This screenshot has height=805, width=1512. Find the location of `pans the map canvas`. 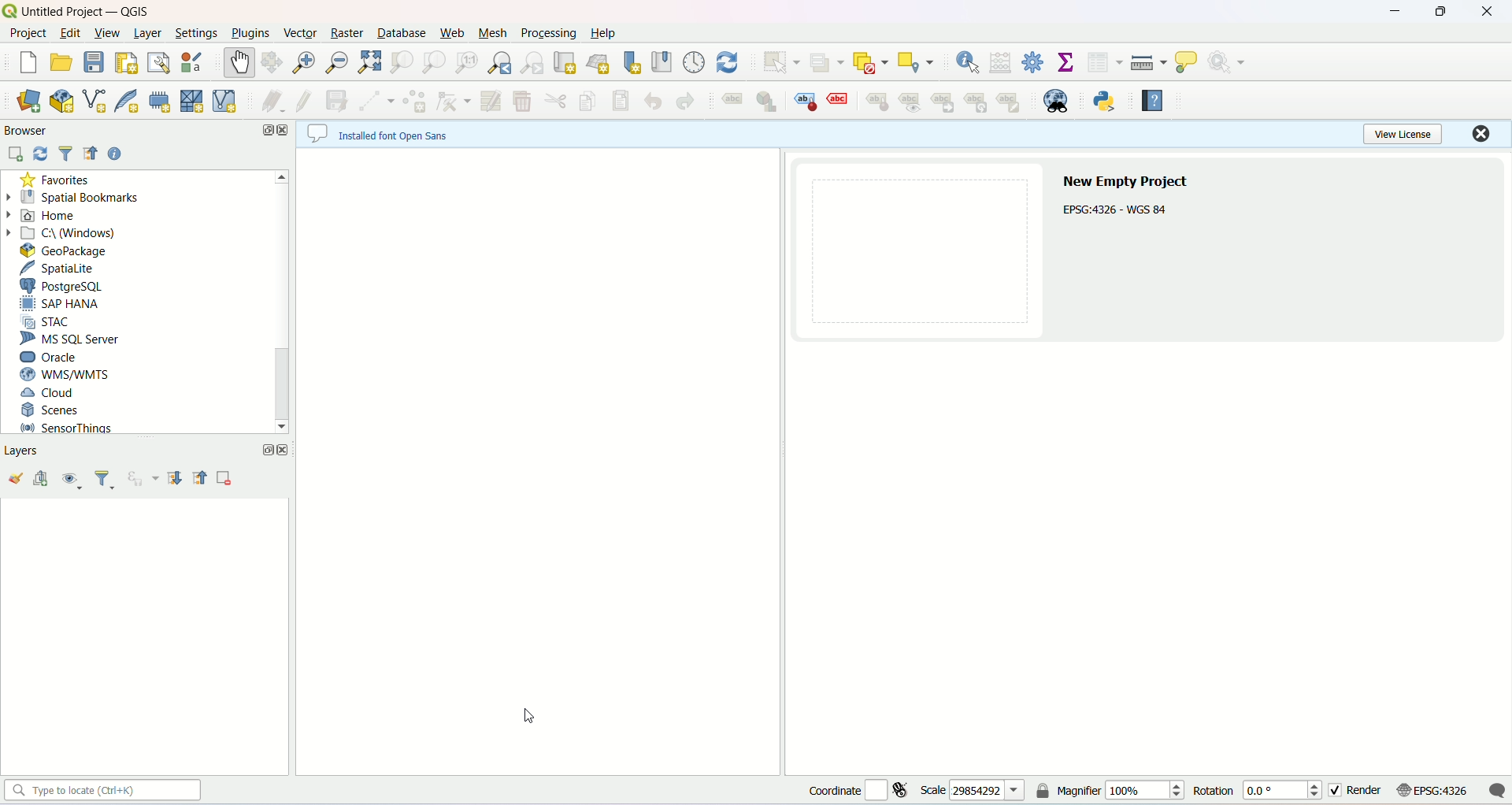

pans the map canvas is located at coordinates (272, 63).